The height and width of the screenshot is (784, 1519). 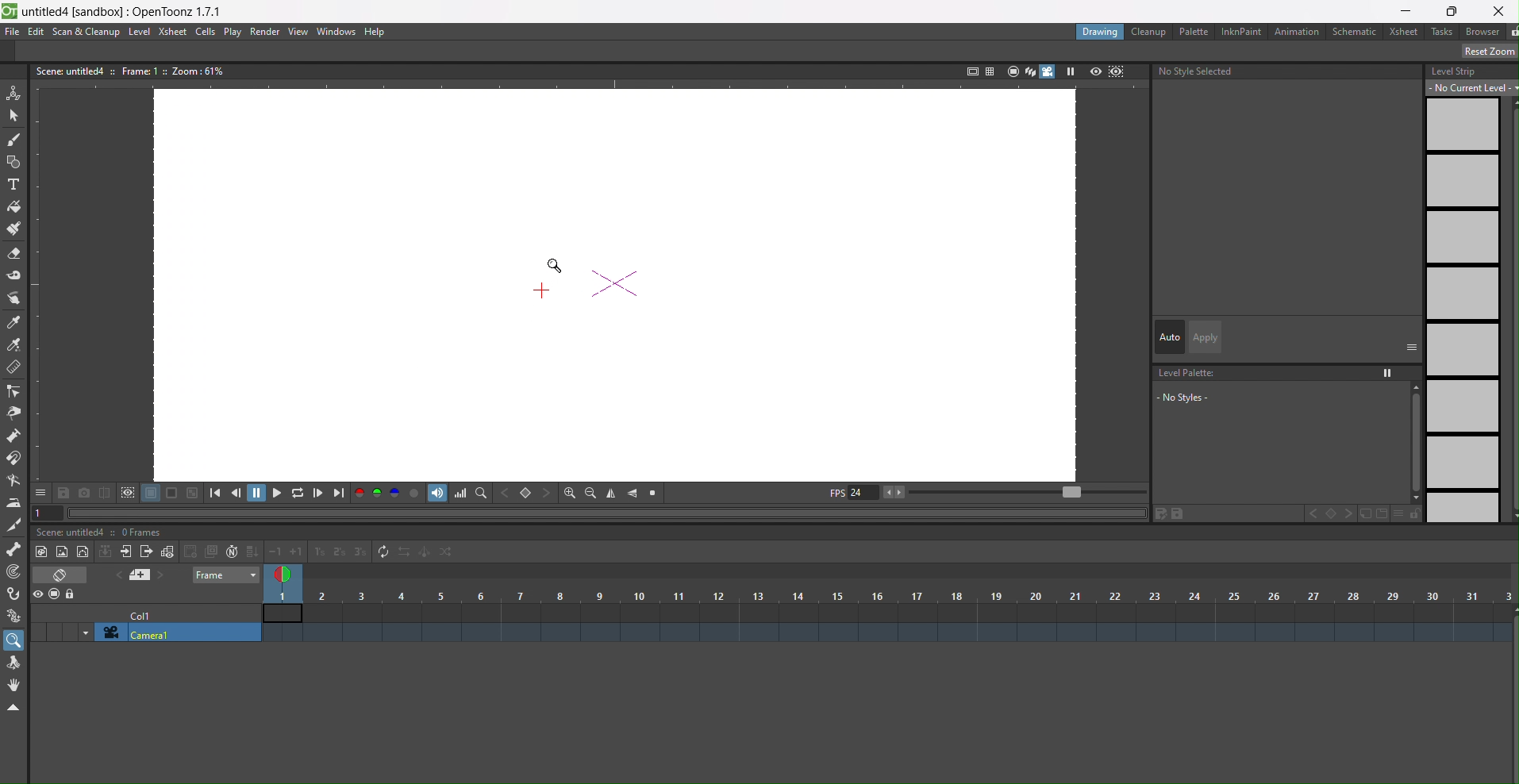 I want to click on drawing, so click(x=1101, y=31).